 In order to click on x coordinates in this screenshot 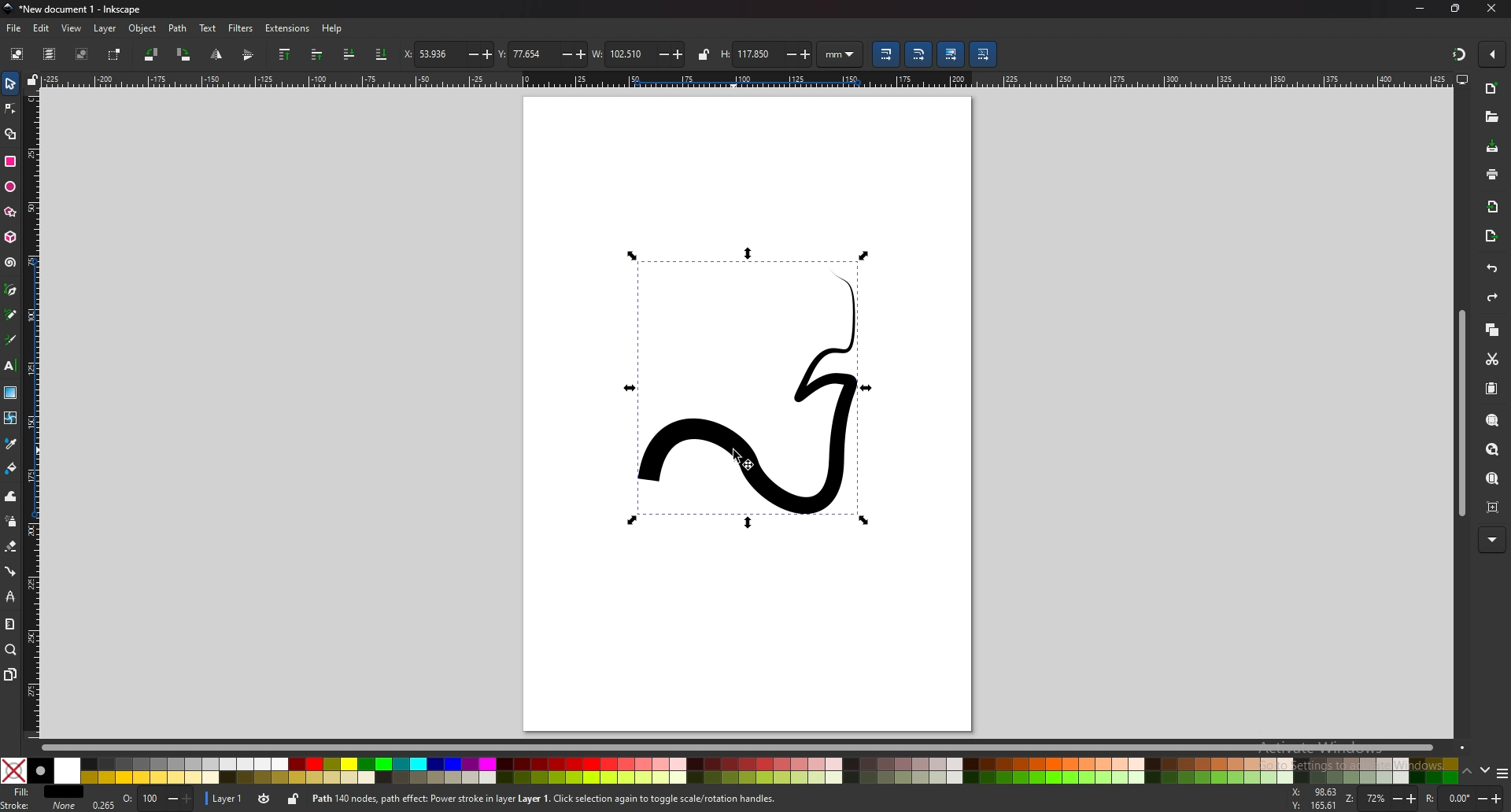, I will do `click(448, 54)`.